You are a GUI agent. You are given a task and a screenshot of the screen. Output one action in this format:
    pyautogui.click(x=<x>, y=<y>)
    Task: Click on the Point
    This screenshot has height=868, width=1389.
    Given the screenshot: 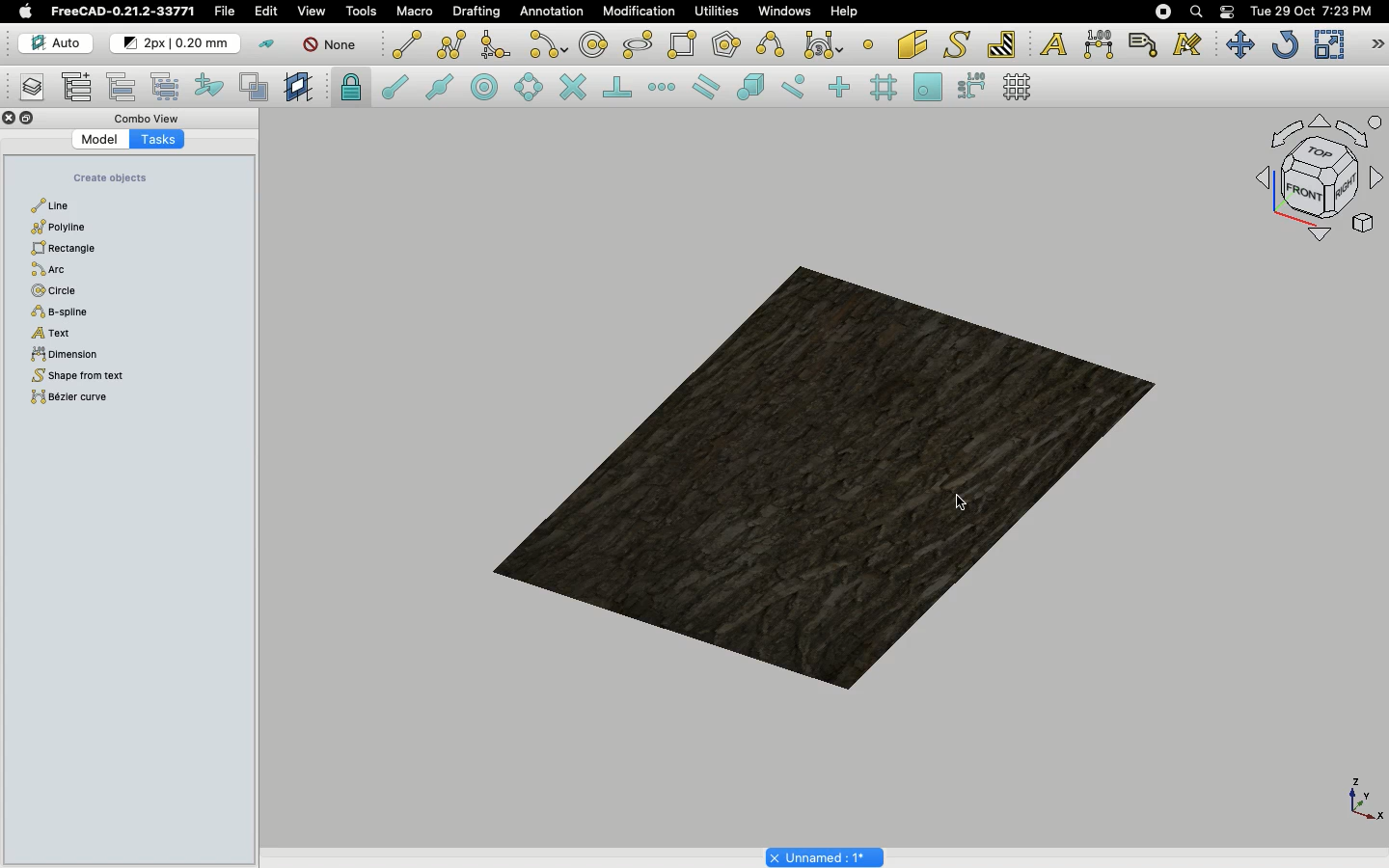 What is the action you would take?
    pyautogui.click(x=872, y=43)
    